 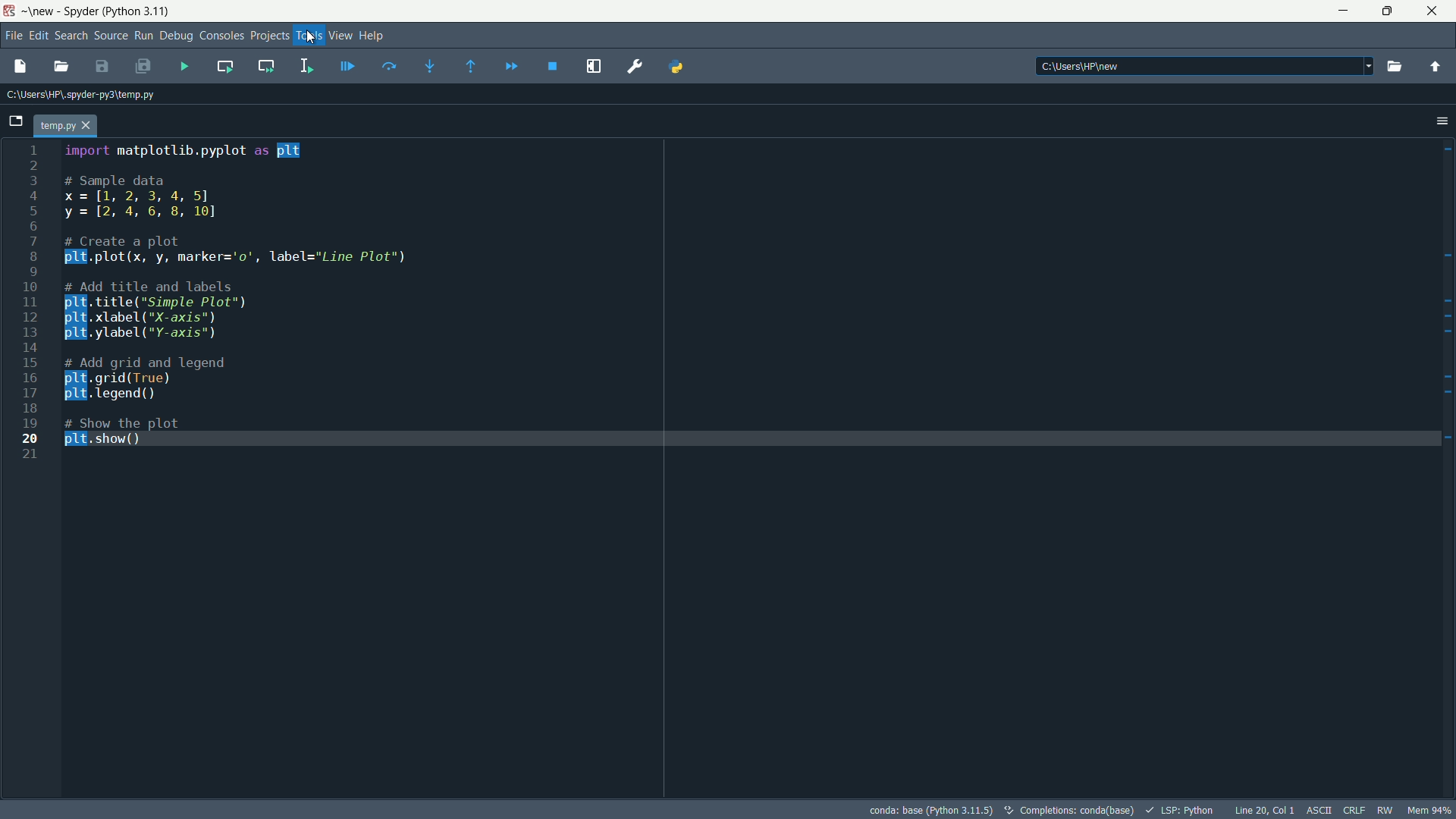 What do you see at coordinates (472, 67) in the screenshot?
I see `execute until function` at bounding box center [472, 67].